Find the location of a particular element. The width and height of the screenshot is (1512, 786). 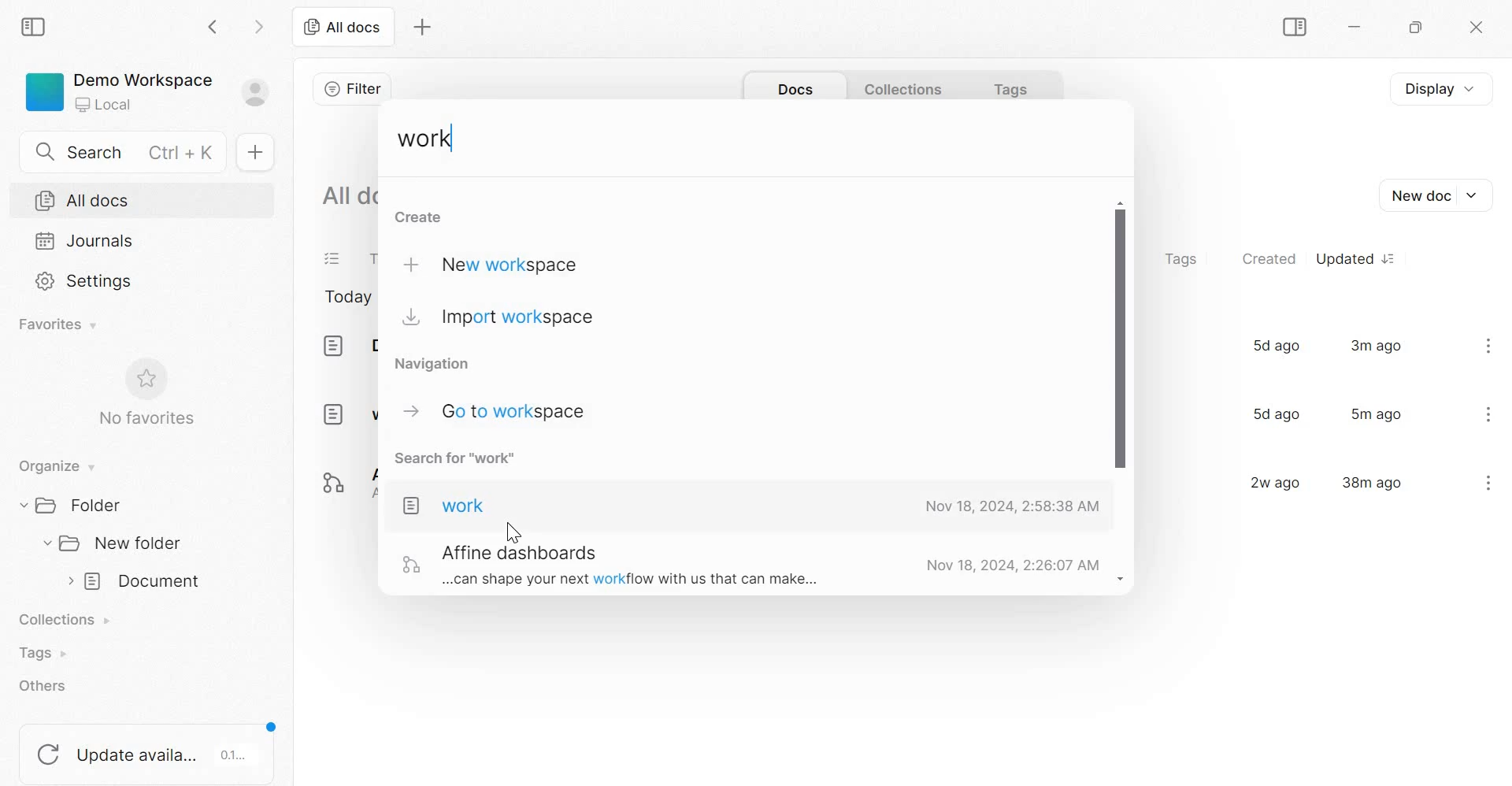

import workspace is located at coordinates (500, 319).